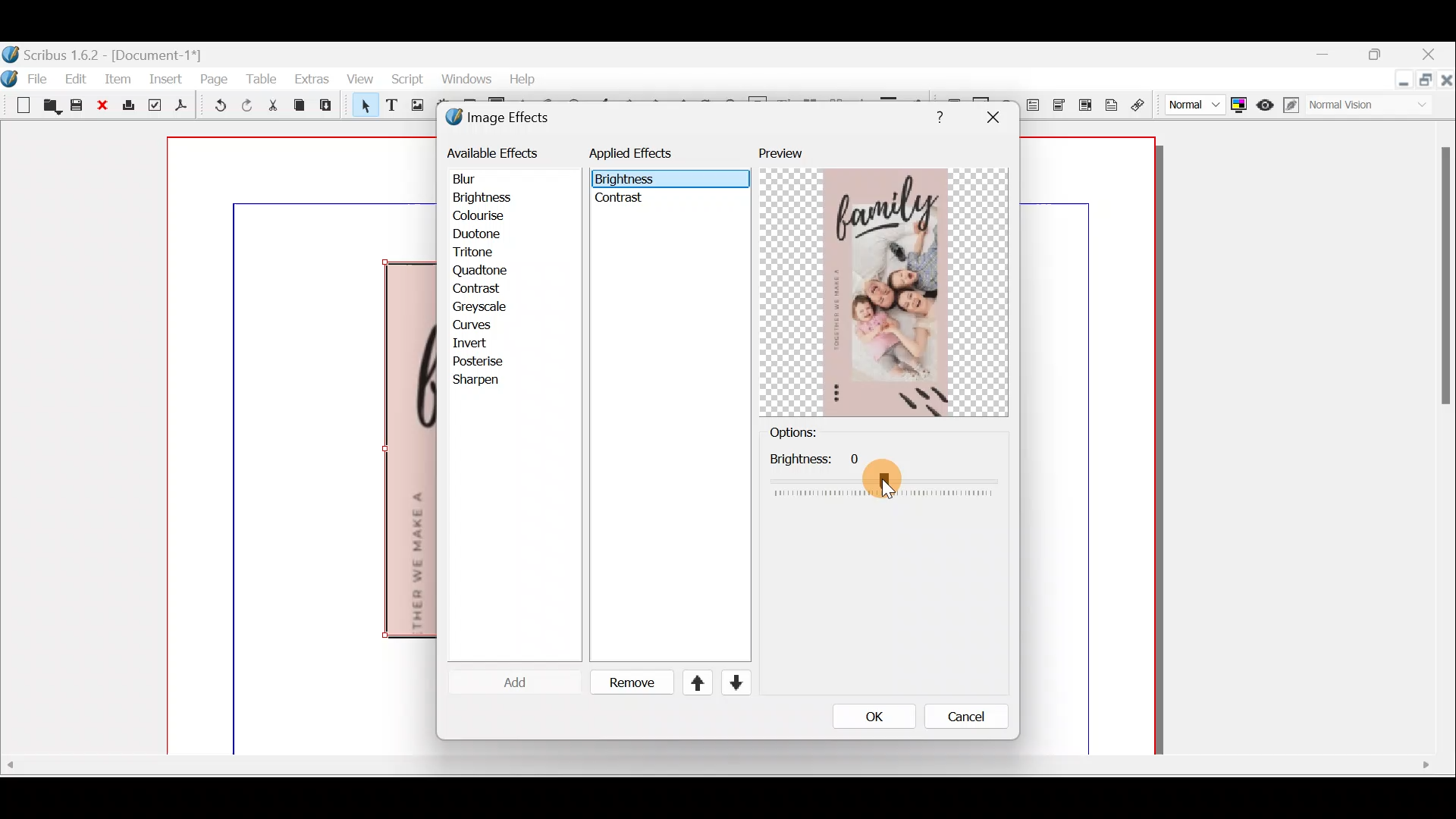  Describe the element at coordinates (11, 77) in the screenshot. I see `Logo` at that location.